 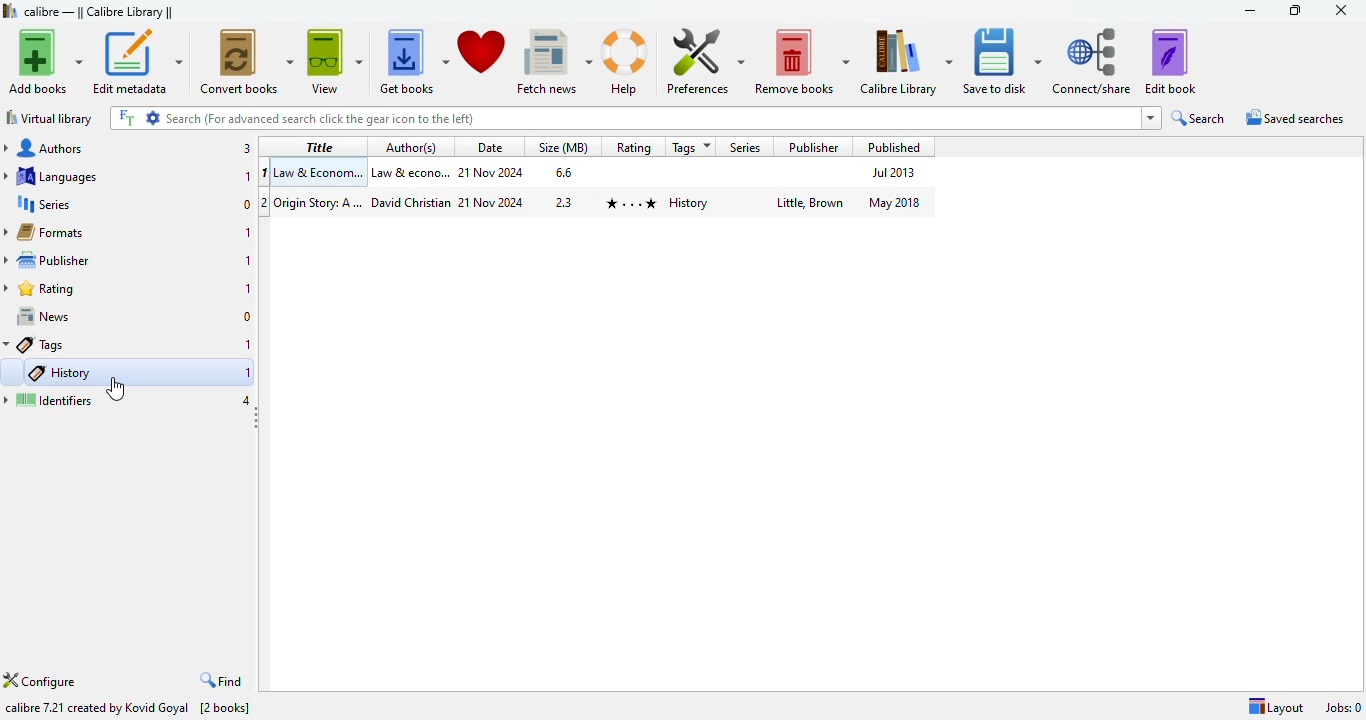 What do you see at coordinates (260, 421) in the screenshot?
I see `toggle sidebar` at bounding box center [260, 421].